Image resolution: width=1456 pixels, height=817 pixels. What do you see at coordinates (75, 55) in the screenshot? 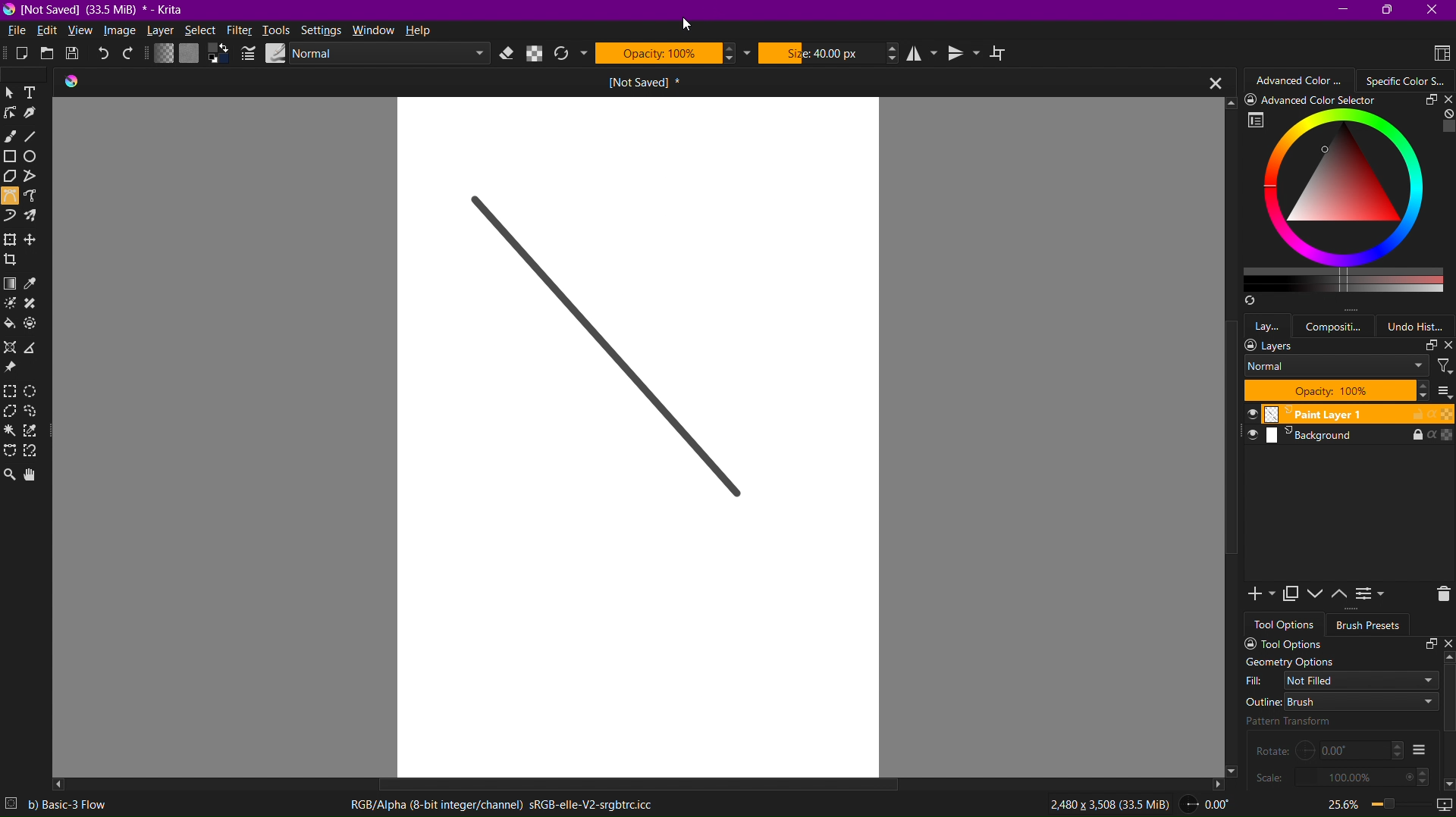
I see `Save` at bounding box center [75, 55].